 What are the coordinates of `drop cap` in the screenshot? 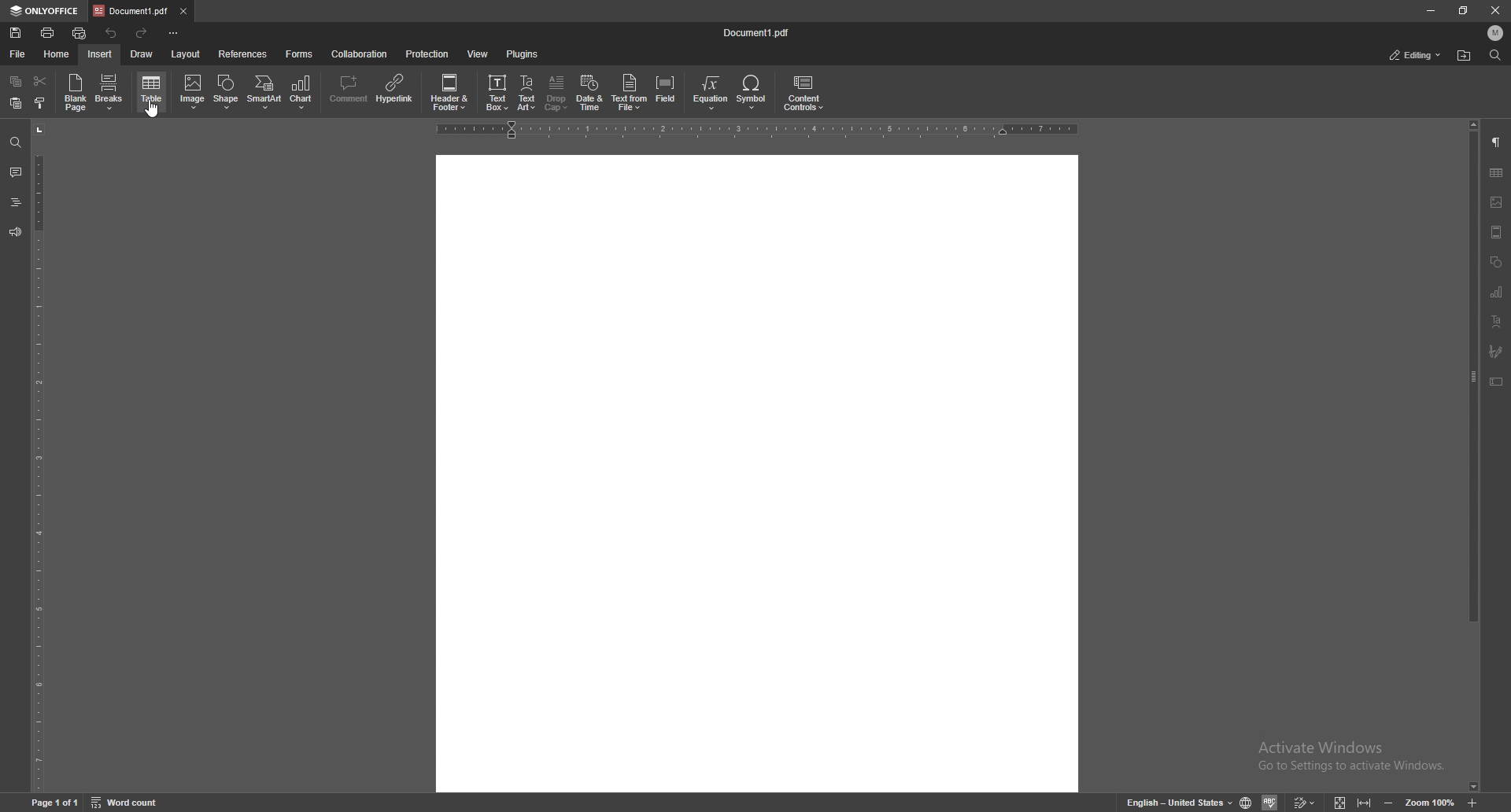 It's located at (556, 93).